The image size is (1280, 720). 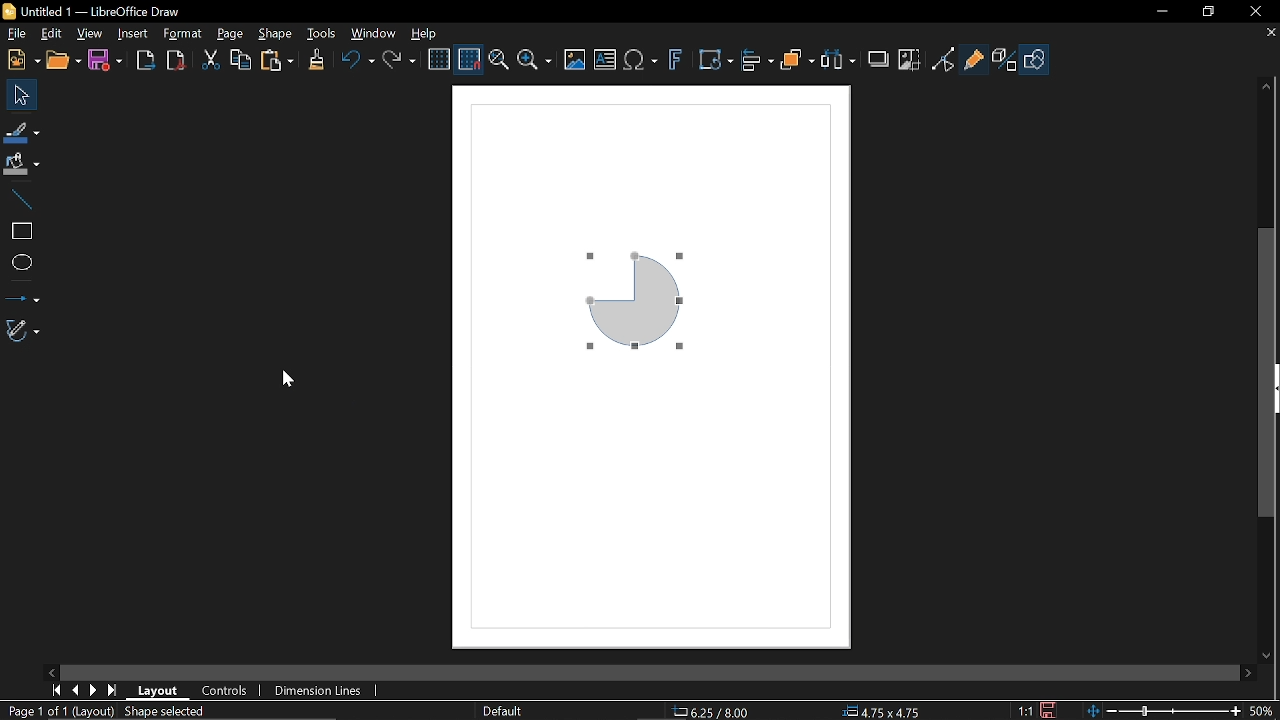 What do you see at coordinates (498, 61) in the screenshot?
I see `pan and zoom` at bounding box center [498, 61].